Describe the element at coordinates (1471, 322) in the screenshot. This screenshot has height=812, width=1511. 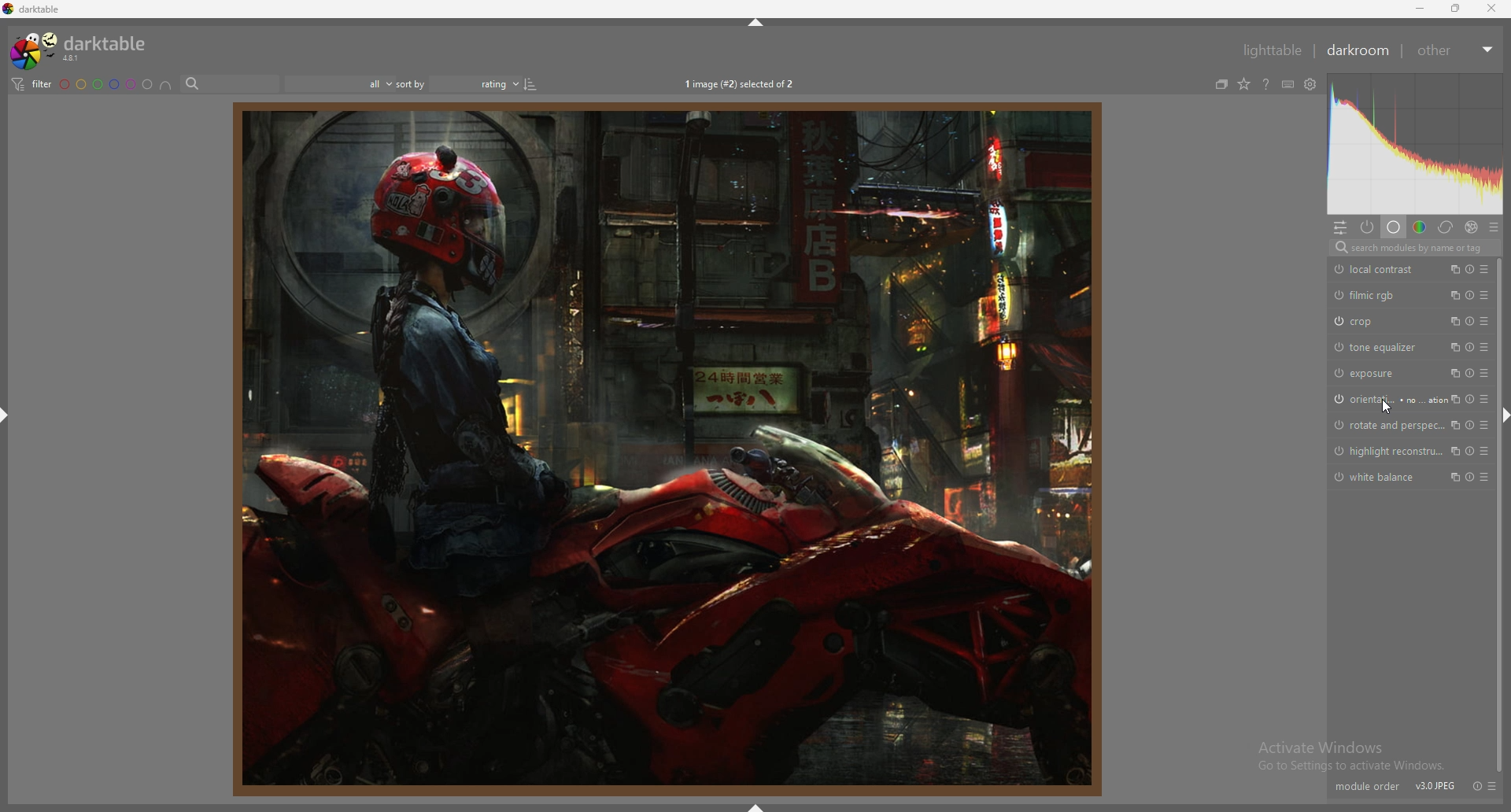
I see `reset` at that location.